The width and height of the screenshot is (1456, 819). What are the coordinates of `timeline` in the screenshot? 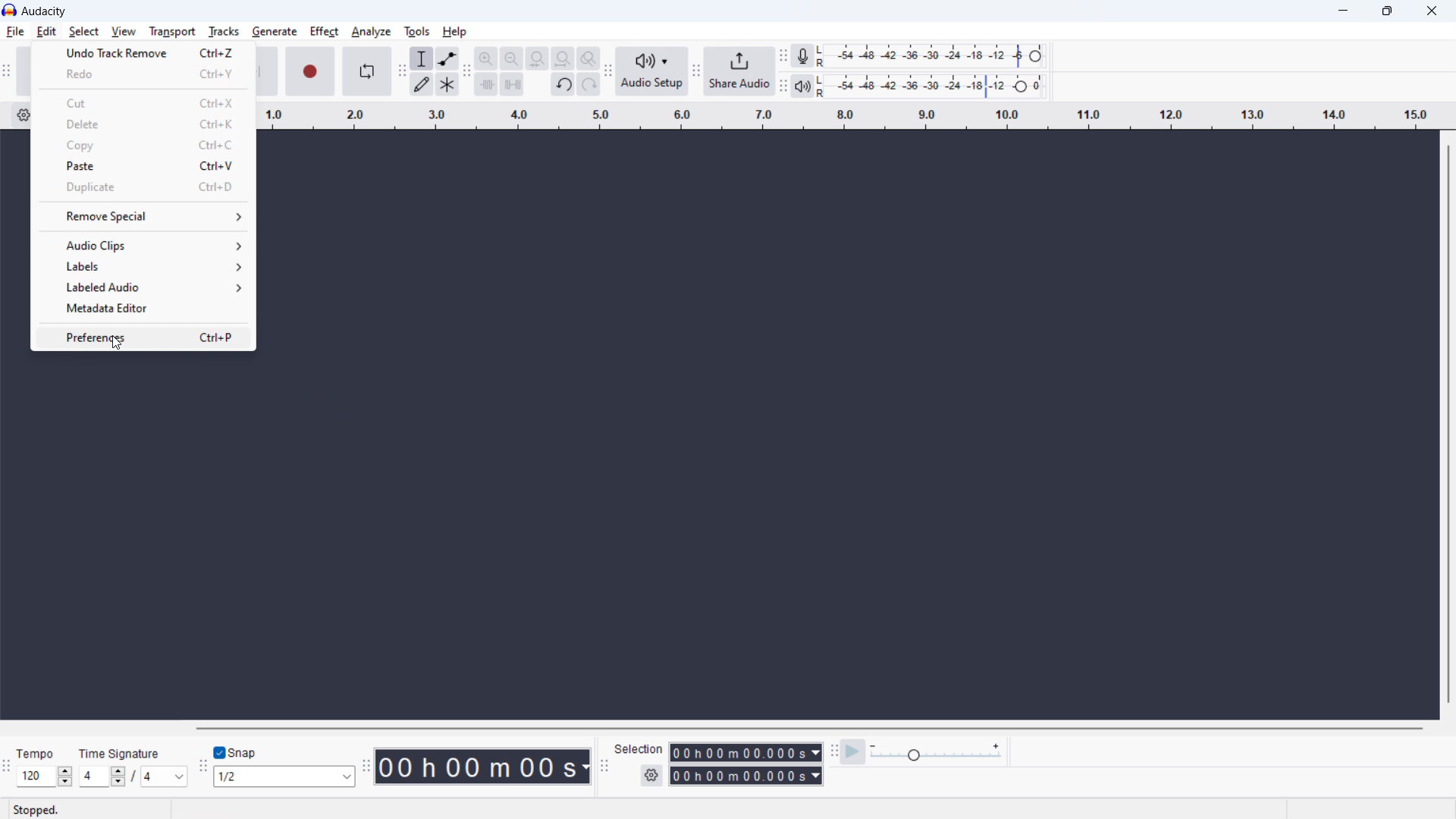 It's located at (848, 115).